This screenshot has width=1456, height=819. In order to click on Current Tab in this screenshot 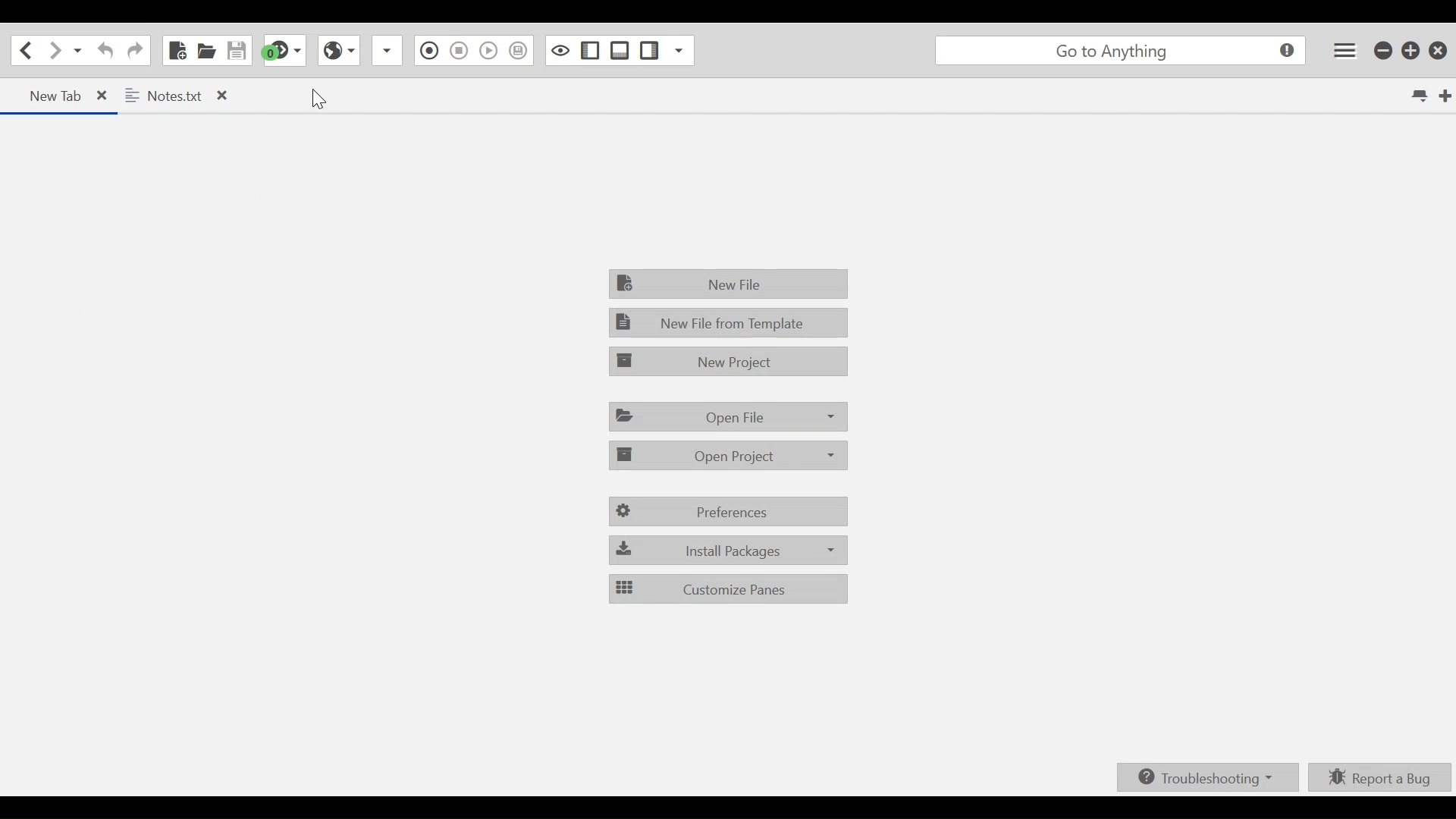, I will do `click(63, 96)`.